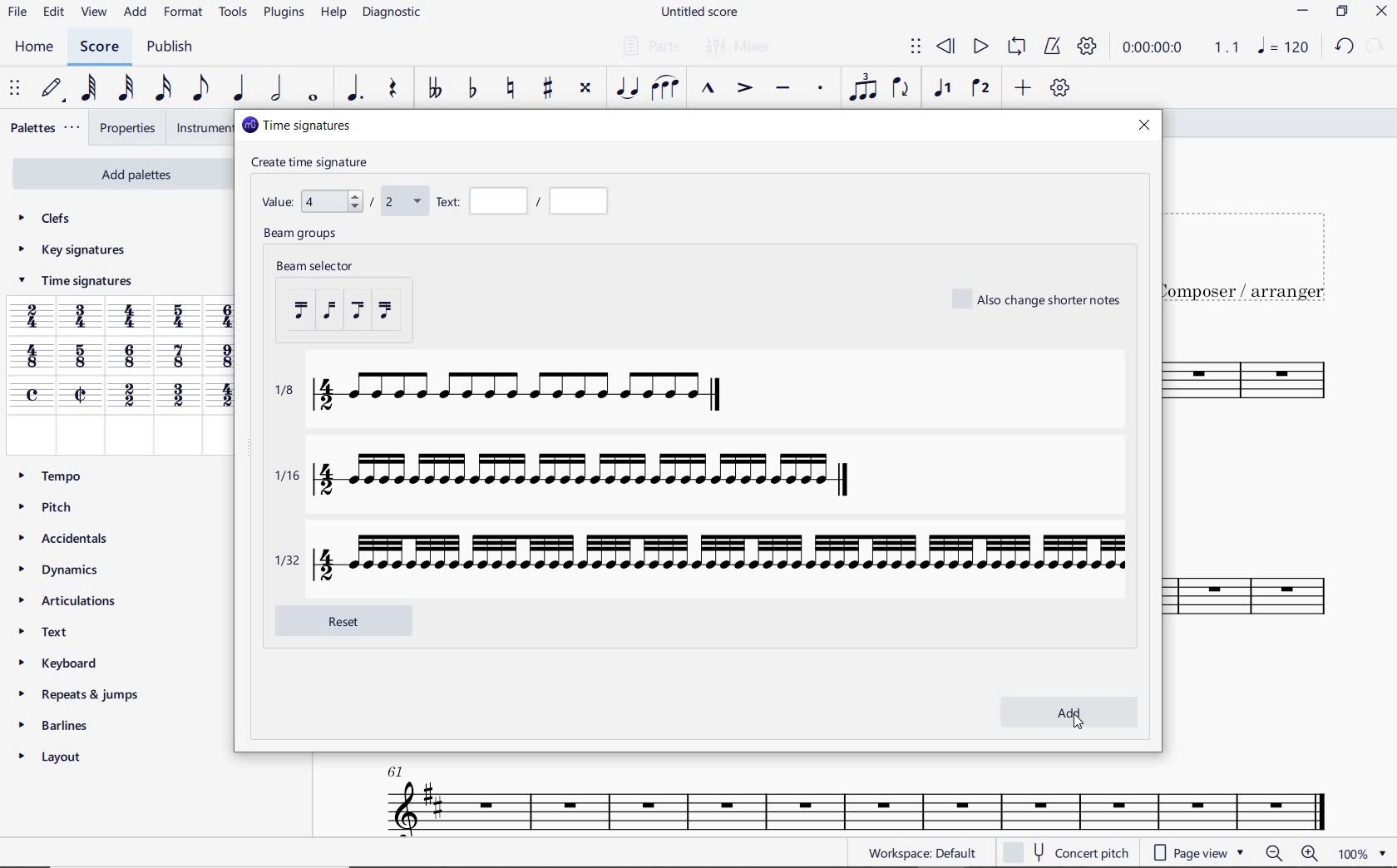 This screenshot has height=868, width=1397. Describe the element at coordinates (177, 397) in the screenshot. I see `3/2` at that location.